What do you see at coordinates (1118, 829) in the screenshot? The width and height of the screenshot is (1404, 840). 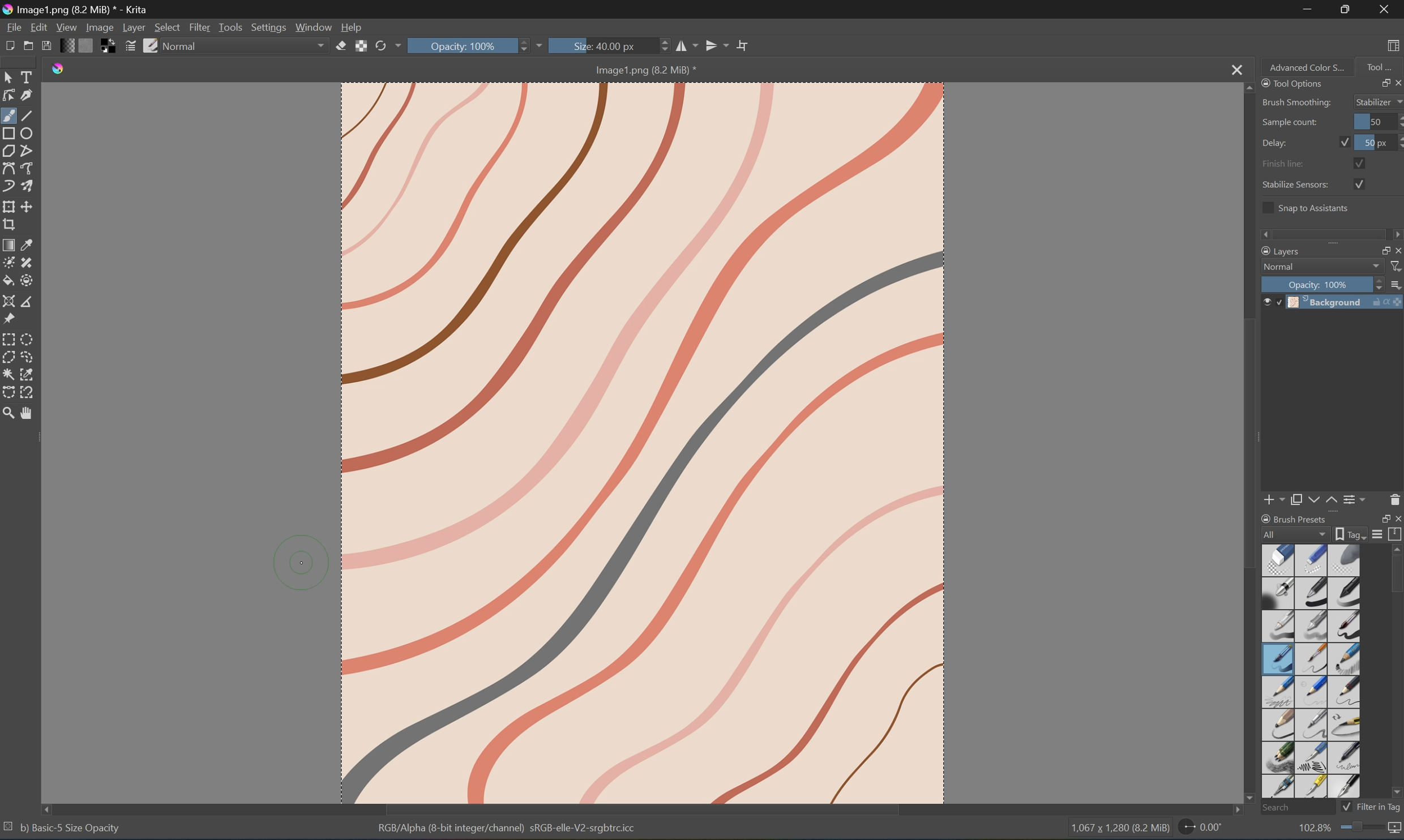 I see `1,067 * 1,280 (3.2 MB)` at bounding box center [1118, 829].